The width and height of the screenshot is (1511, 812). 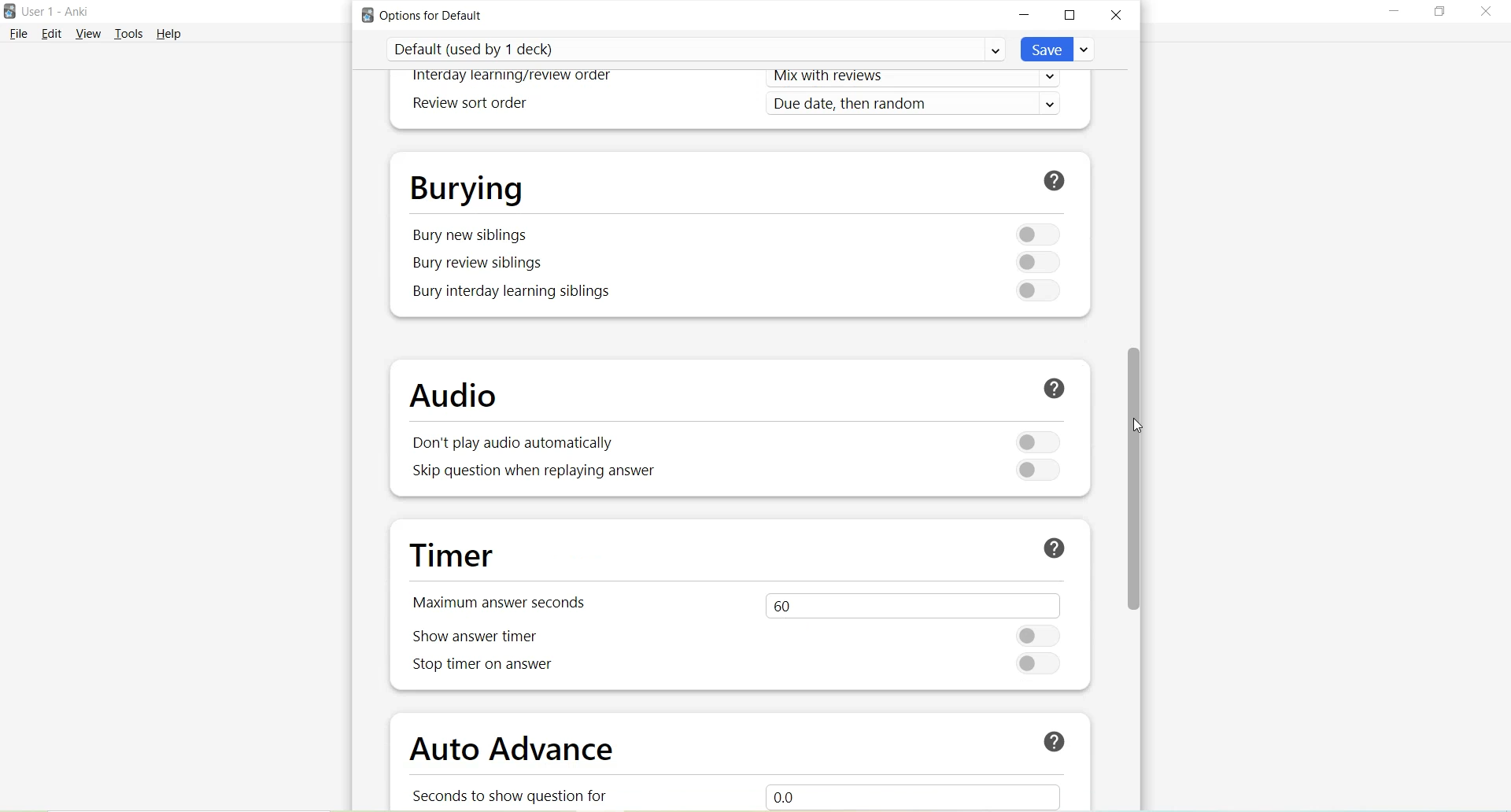 What do you see at coordinates (1395, 13) in the screenshot?
I see `Minimize` at bounding box center [1395, 13].